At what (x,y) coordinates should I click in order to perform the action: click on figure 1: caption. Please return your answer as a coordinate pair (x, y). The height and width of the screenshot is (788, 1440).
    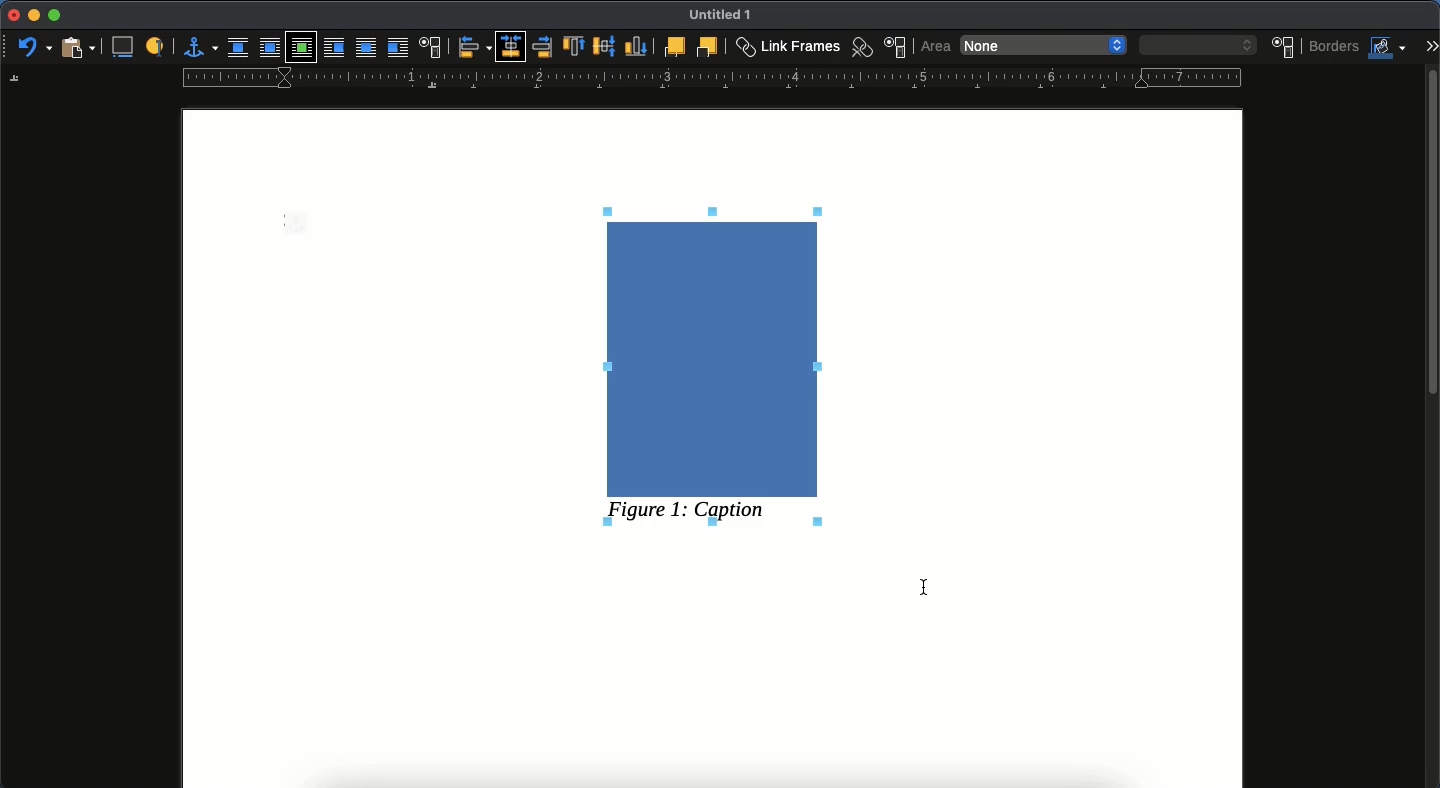
    Looking at the image, I should click on (688, 514).